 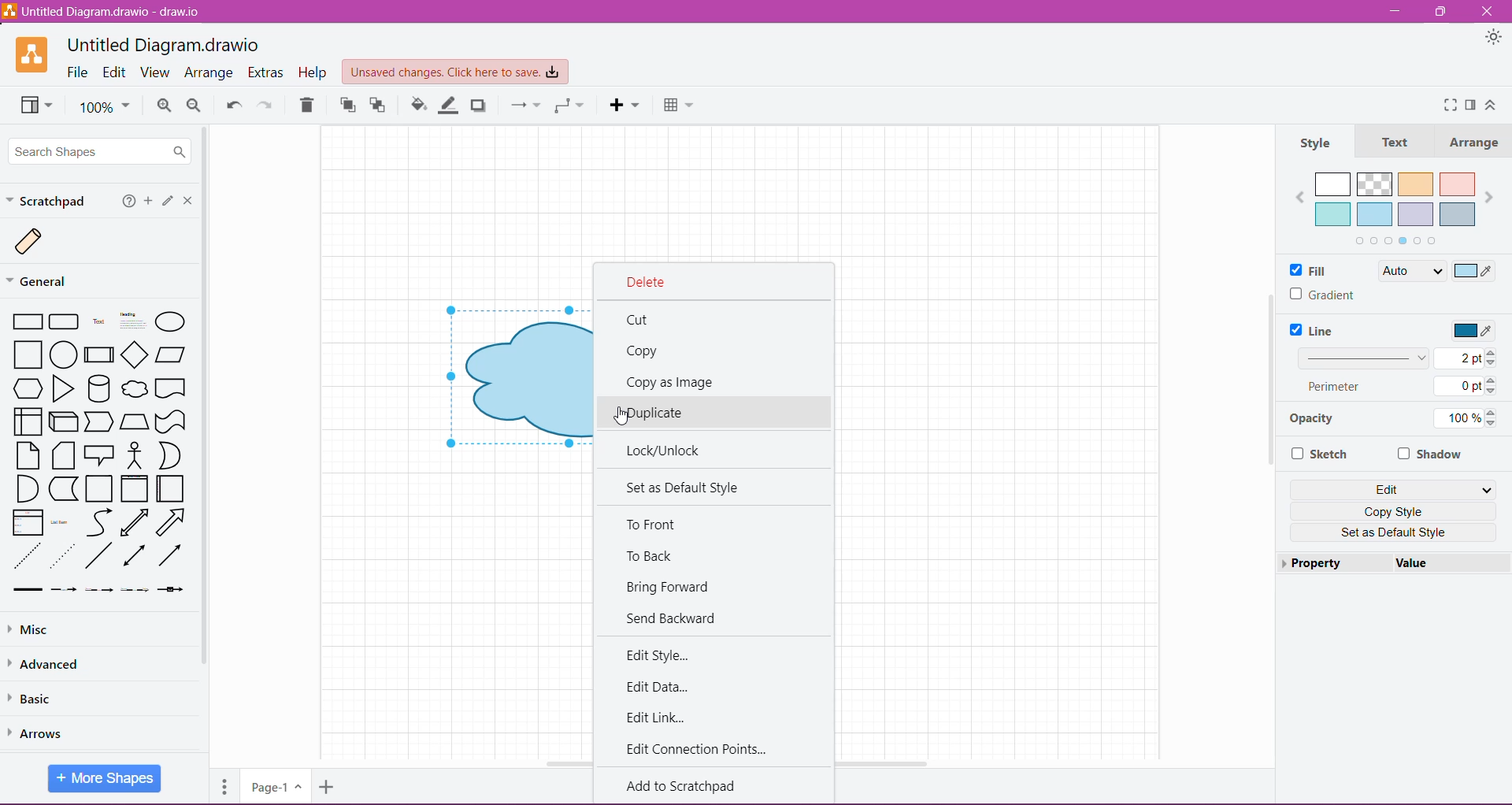 What do you see at coordinates (667, 657) in the screenshot?
I see `Edit Style` at bounding box center [667, 657].